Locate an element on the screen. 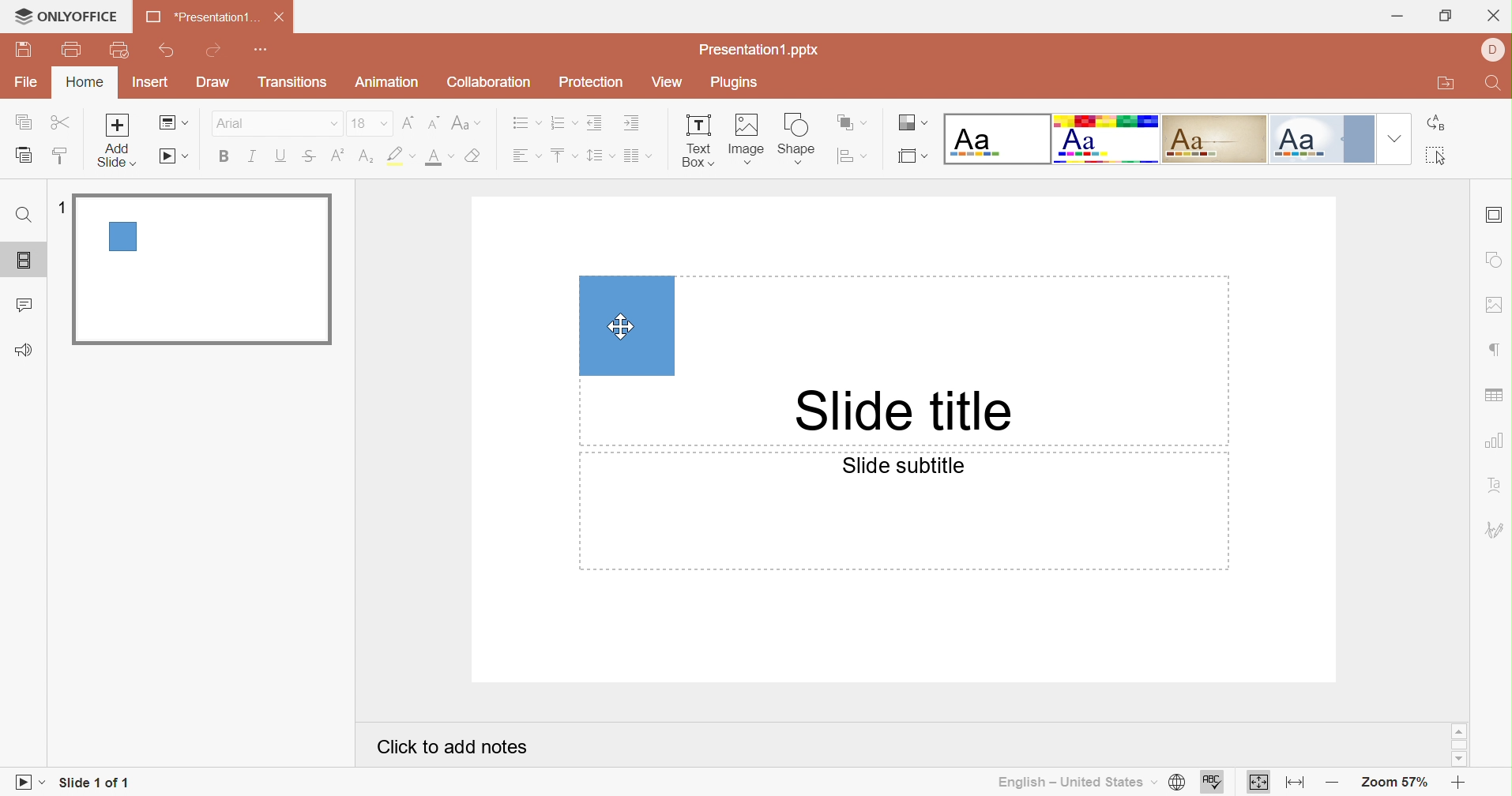 The height and width of the screenshot is (796, 1512). Arrange shape is located at coordinates (850, 123).